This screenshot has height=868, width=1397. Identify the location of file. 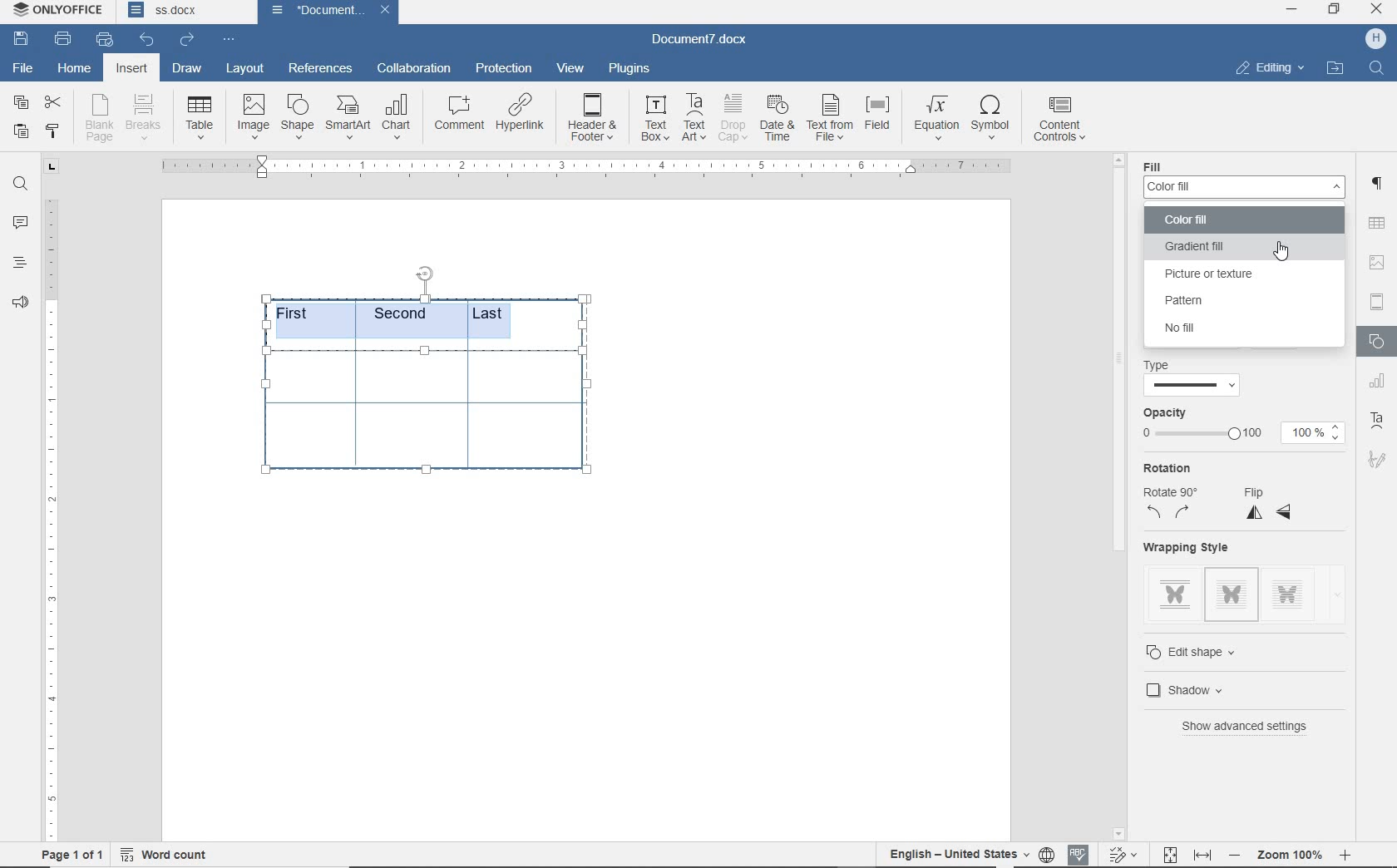
(22, 67).